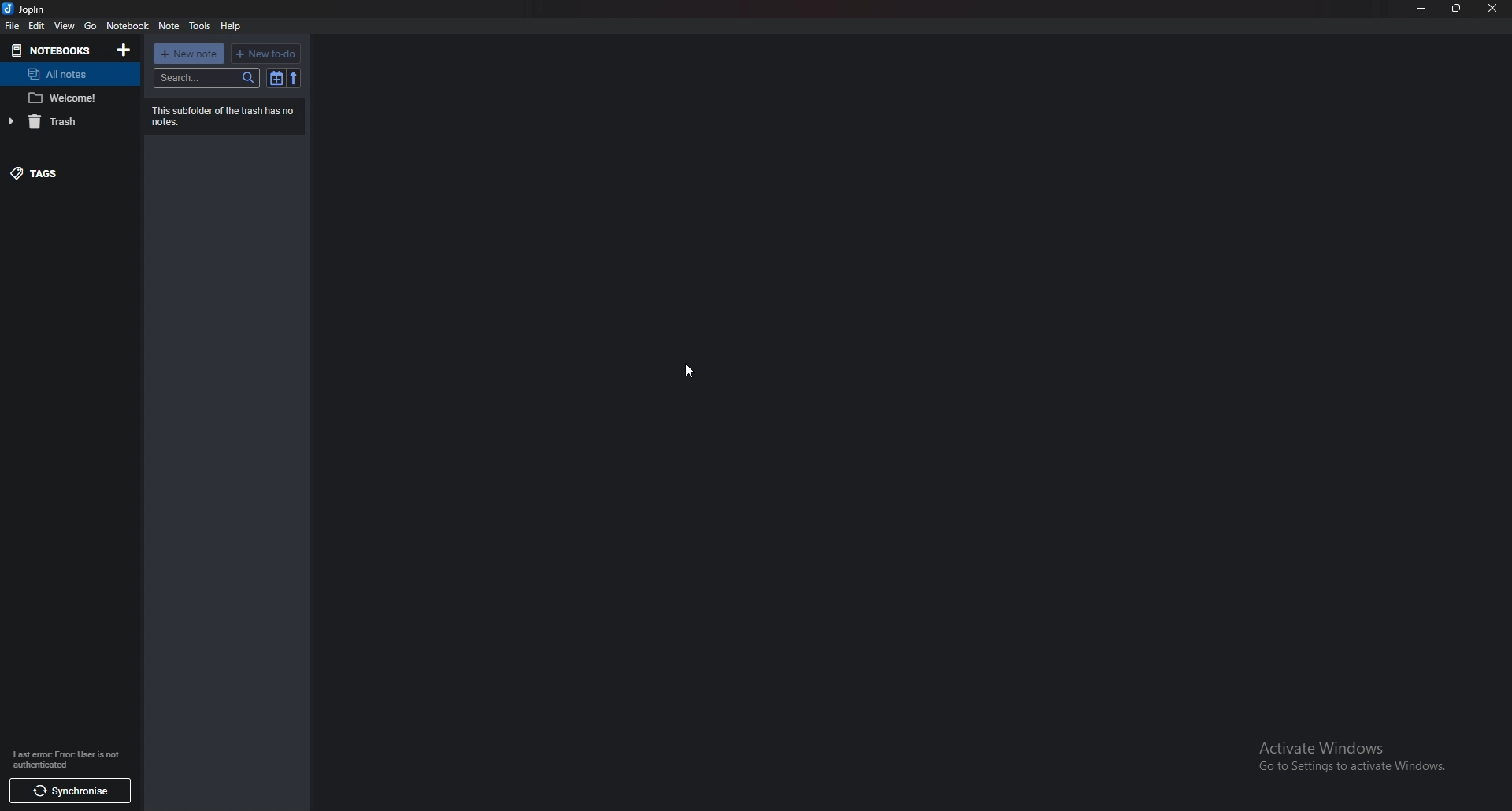 Image resolution: width=1512 pixels, height=811 pixels. What do you see at coordinates (1455, 9) in the screenshot?
I see `resize` at bounding box center [1455, 9].